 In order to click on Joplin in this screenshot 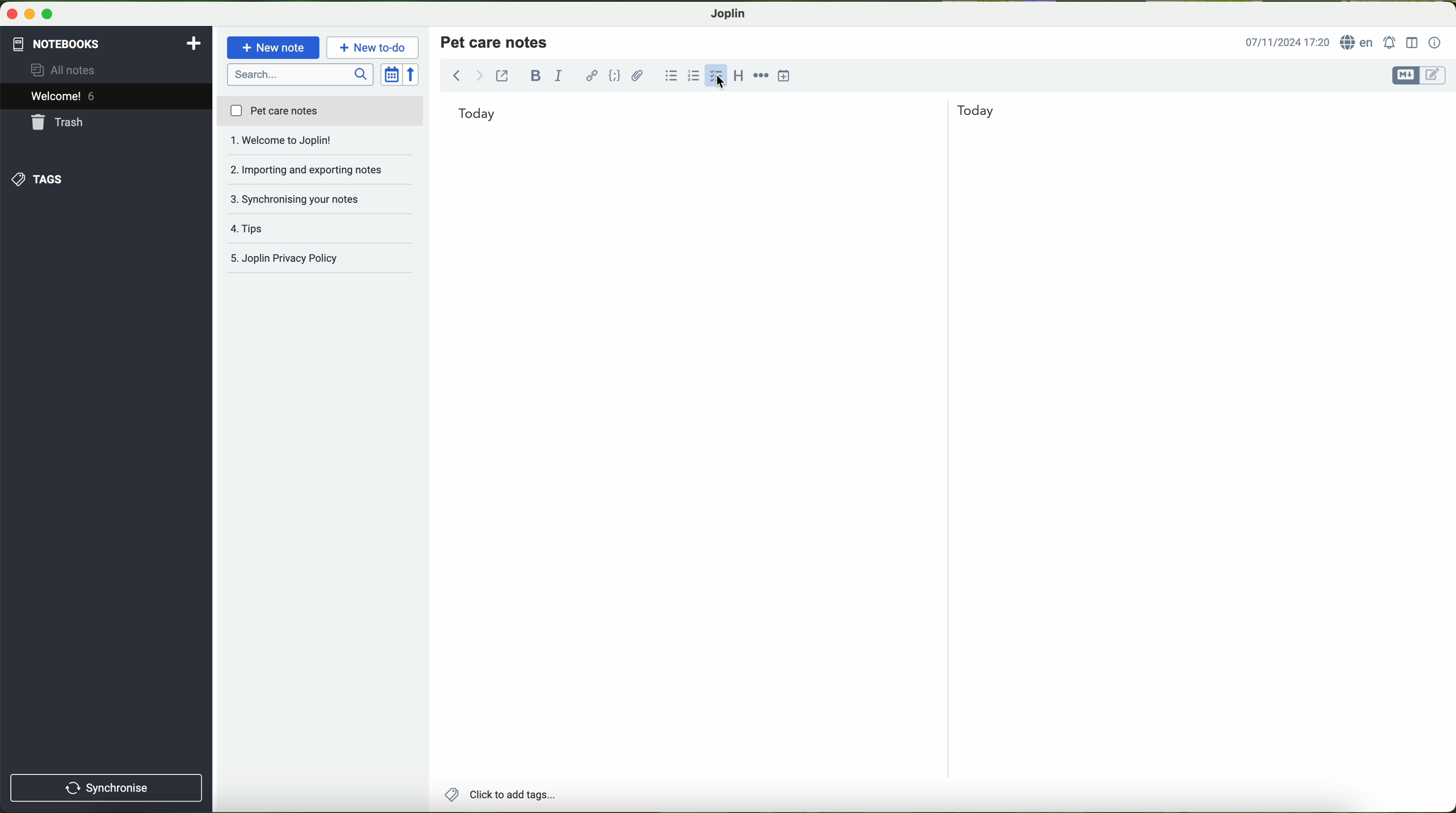, I will do `click(729, 12)`.